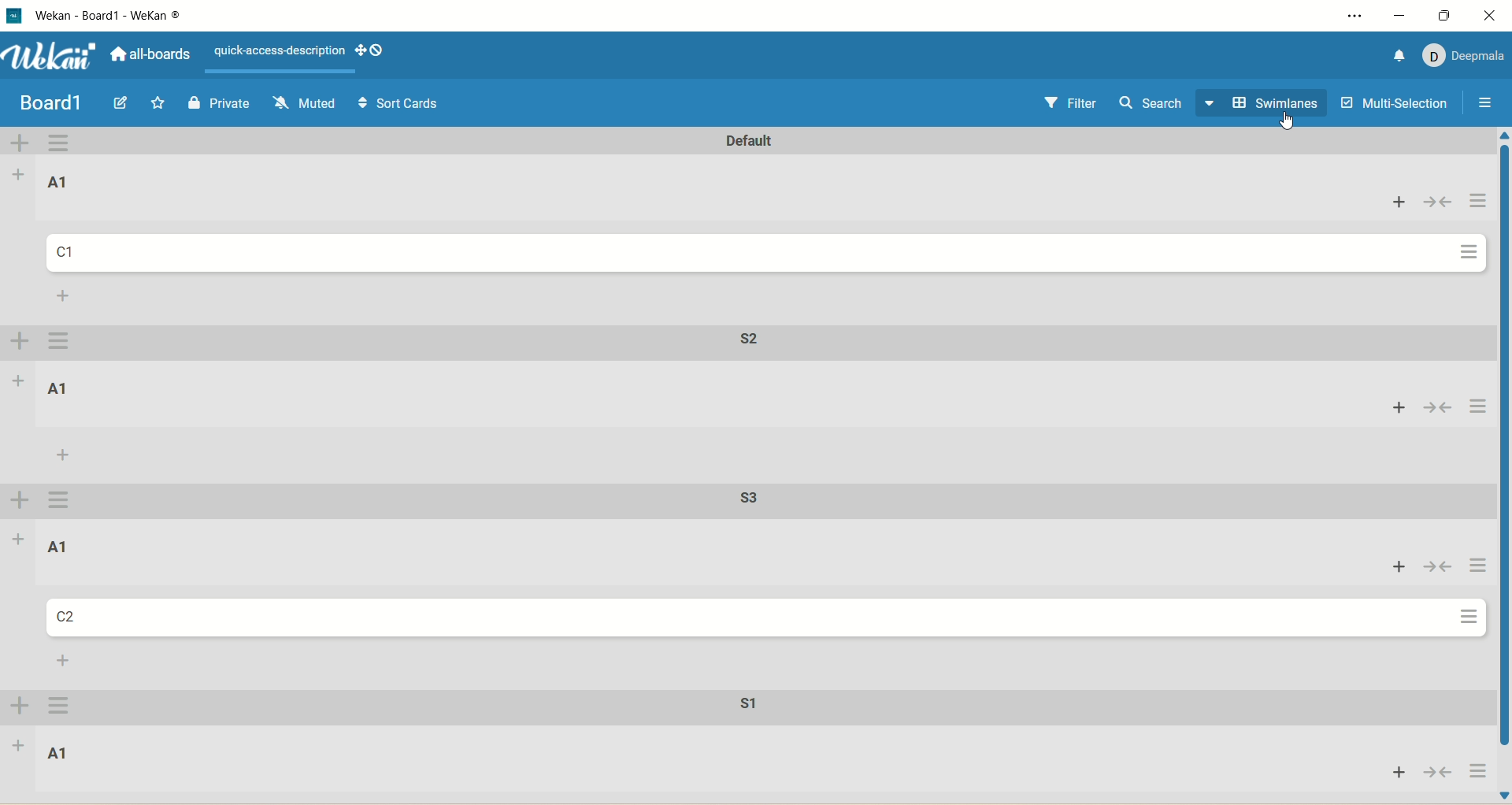  Describe the element at coordinates (20, 172) in the screenshot. I see `add` at that location.